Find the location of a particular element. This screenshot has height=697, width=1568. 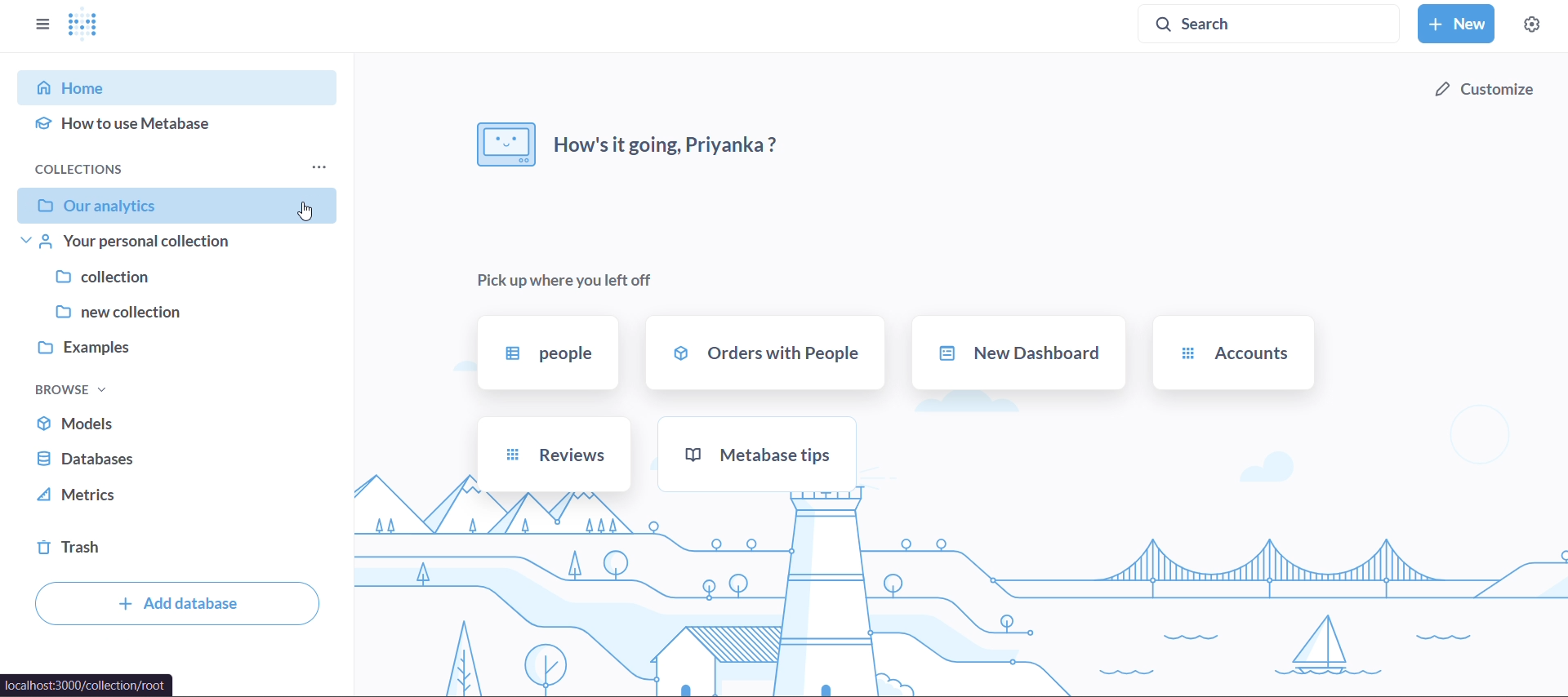

pick up where you left off is located at coordinates (567, 277).